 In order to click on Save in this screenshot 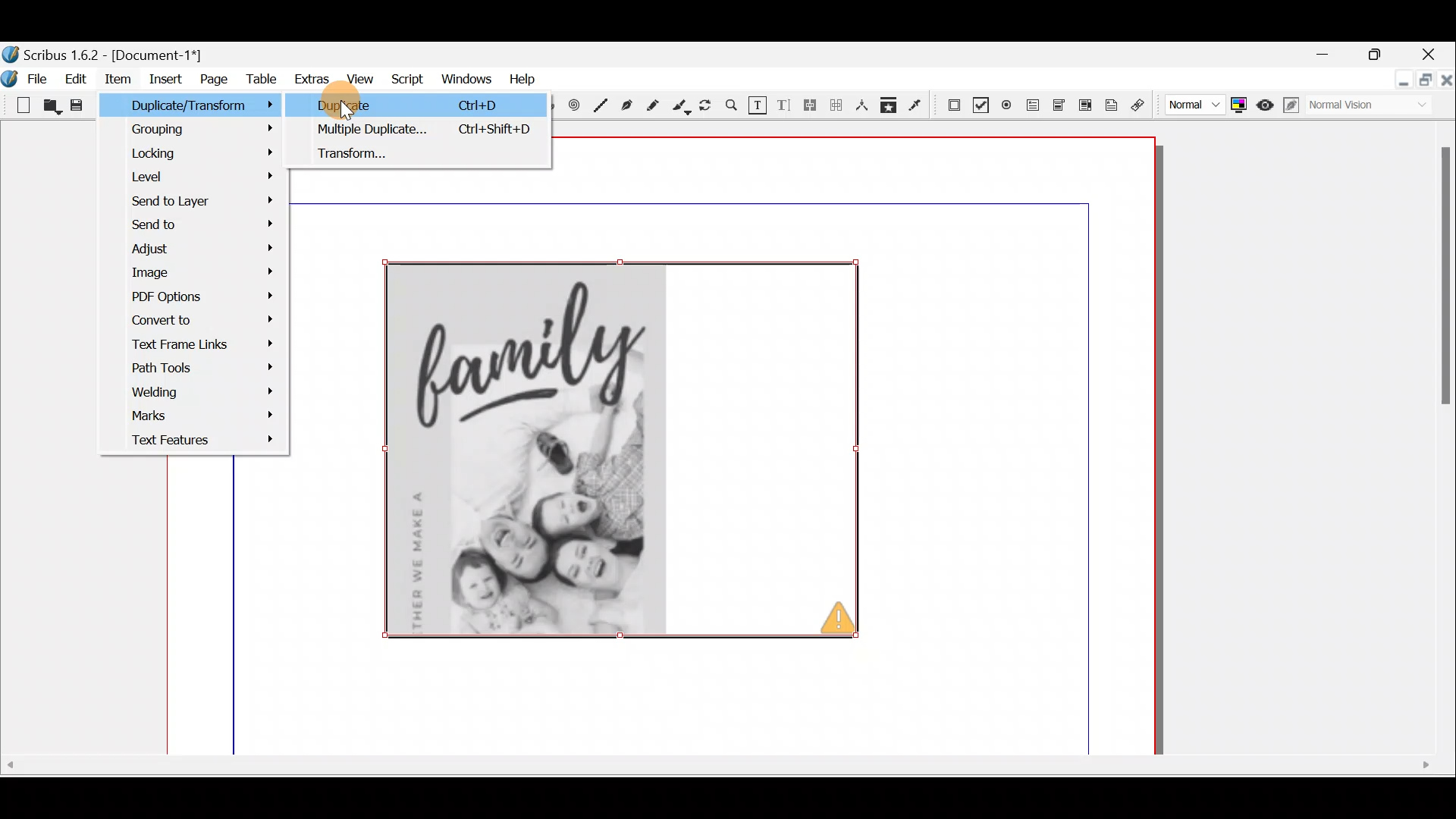, I will do `click(77, 106)`.